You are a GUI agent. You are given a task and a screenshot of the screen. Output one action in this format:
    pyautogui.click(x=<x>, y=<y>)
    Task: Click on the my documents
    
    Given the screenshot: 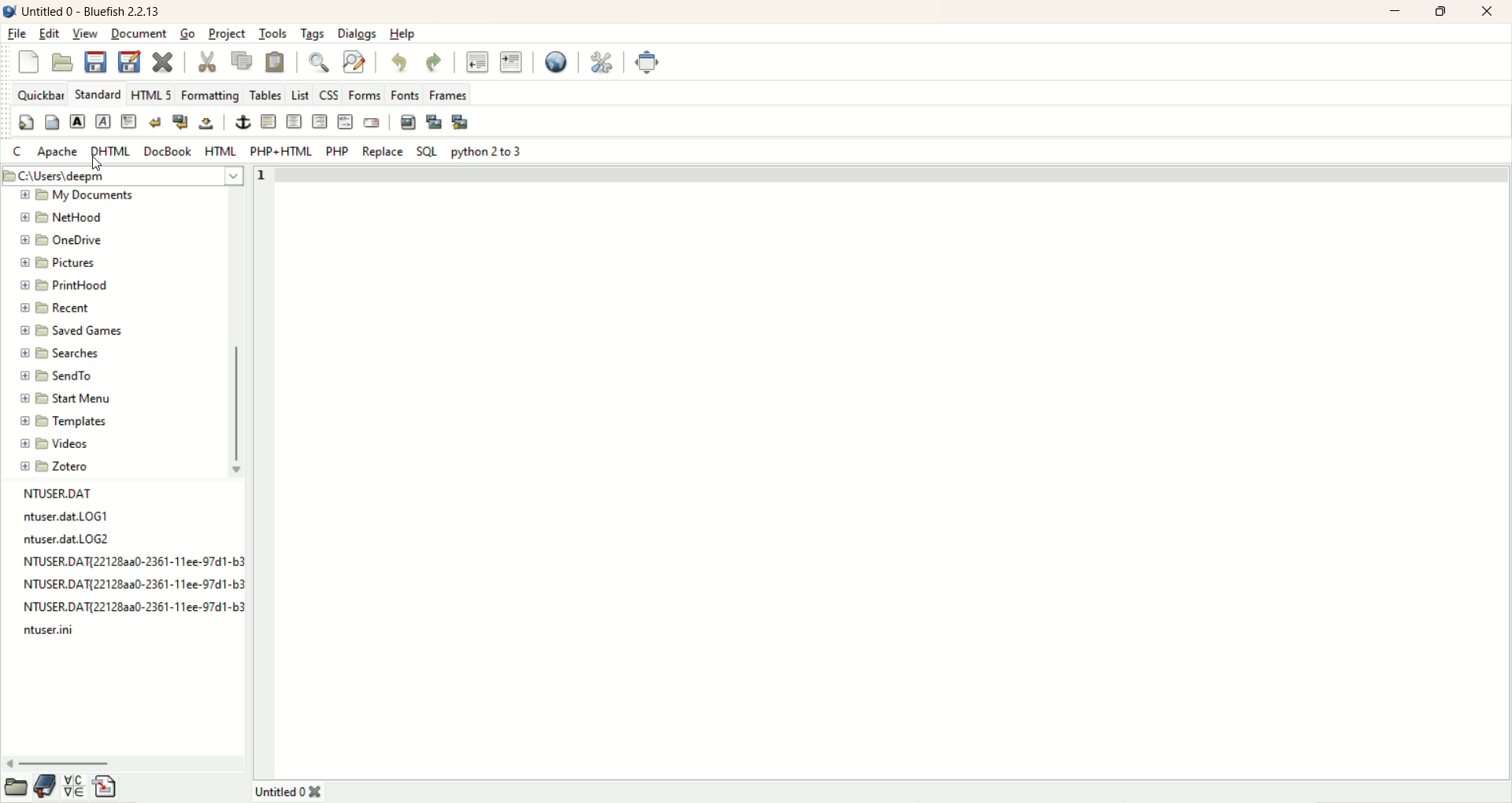 What is the action you would take?
    pyautogui.click(x=93, y=198)
    